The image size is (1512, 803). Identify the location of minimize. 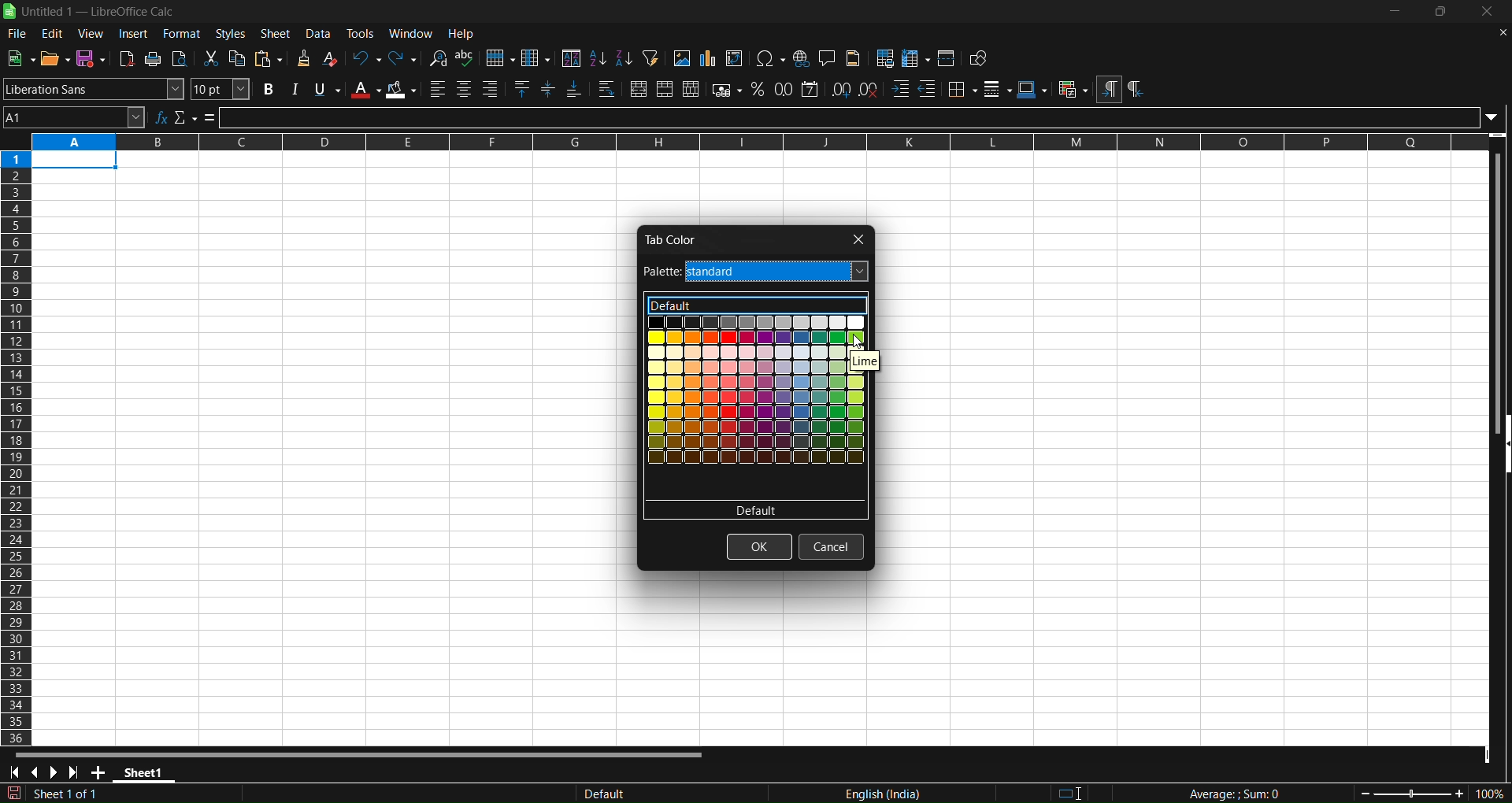
(1395, 11).